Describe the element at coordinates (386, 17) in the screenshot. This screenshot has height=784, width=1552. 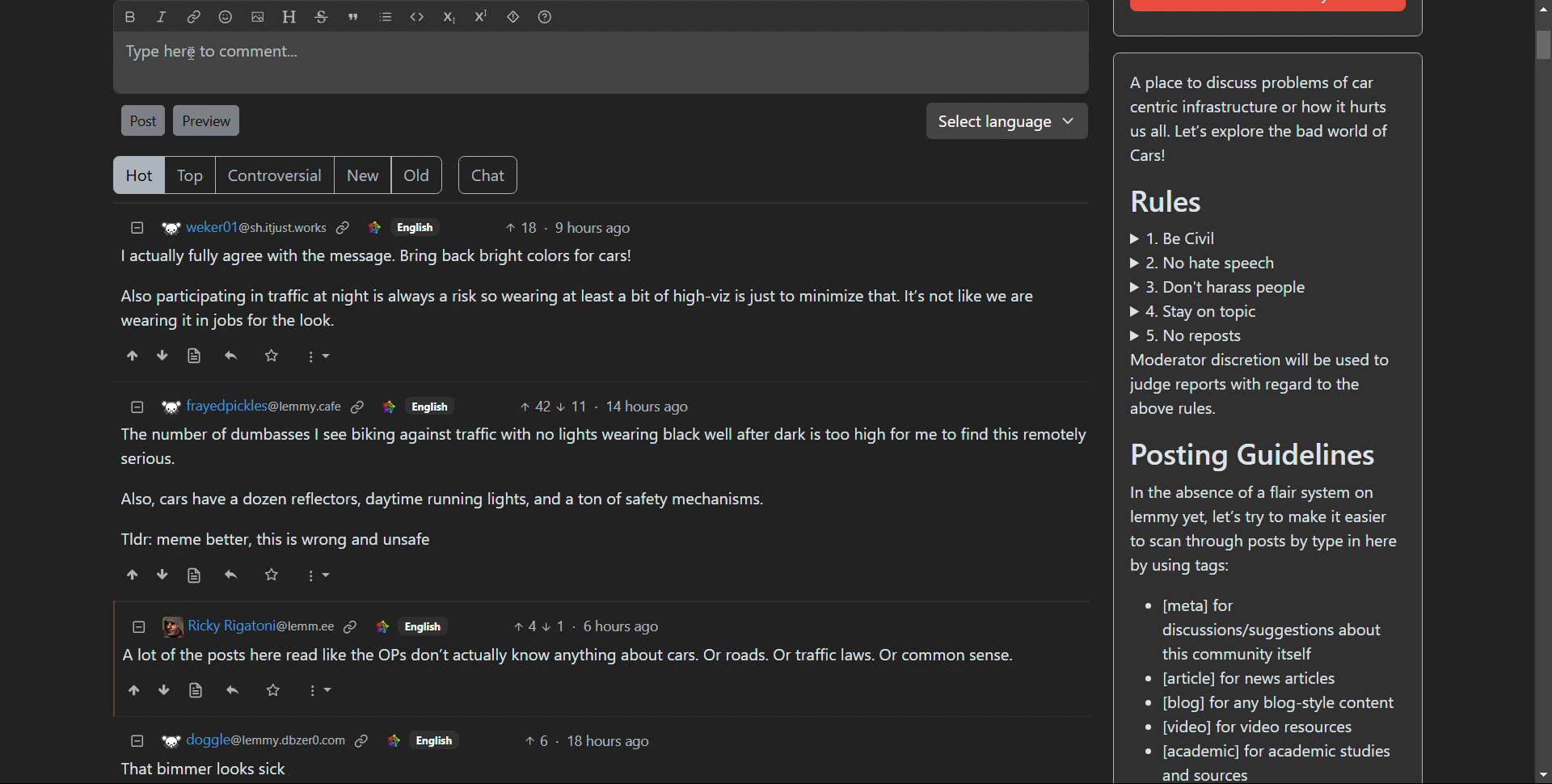
I see `list` at that location.